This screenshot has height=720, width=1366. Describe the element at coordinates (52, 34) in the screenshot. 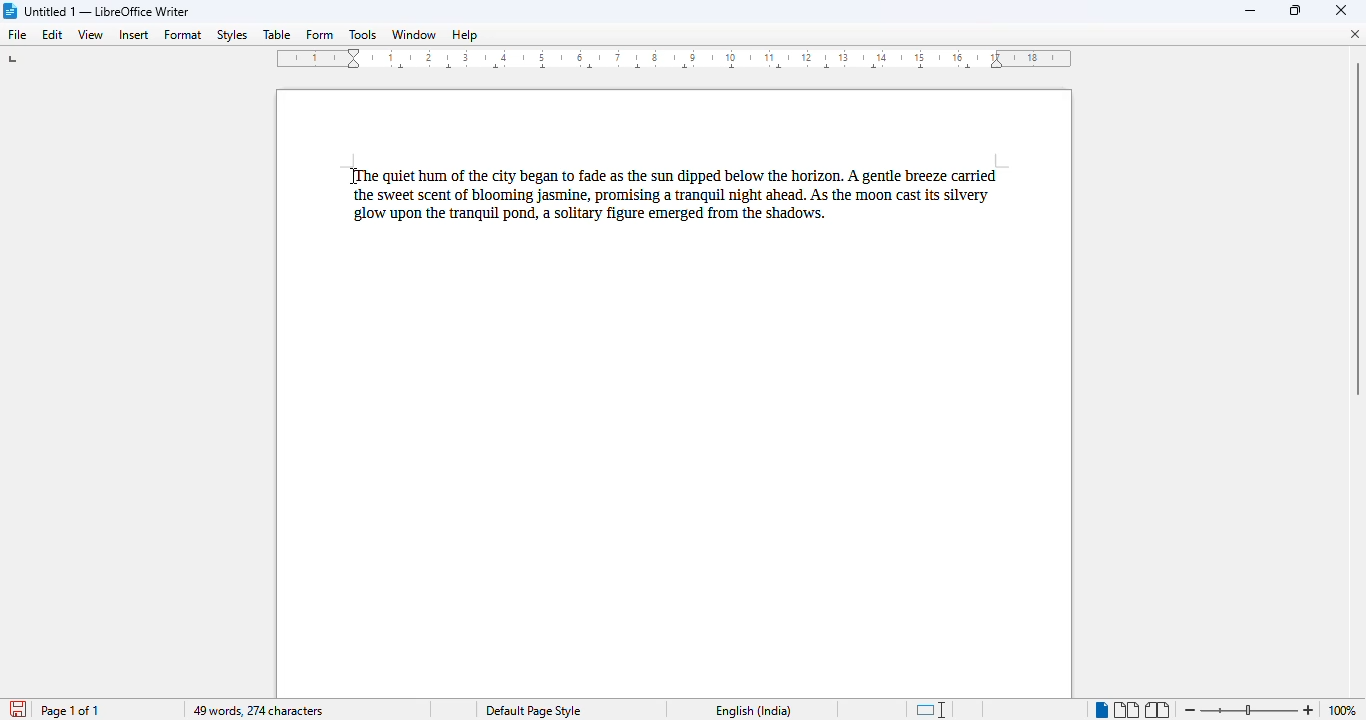

I see `edit` at that location.